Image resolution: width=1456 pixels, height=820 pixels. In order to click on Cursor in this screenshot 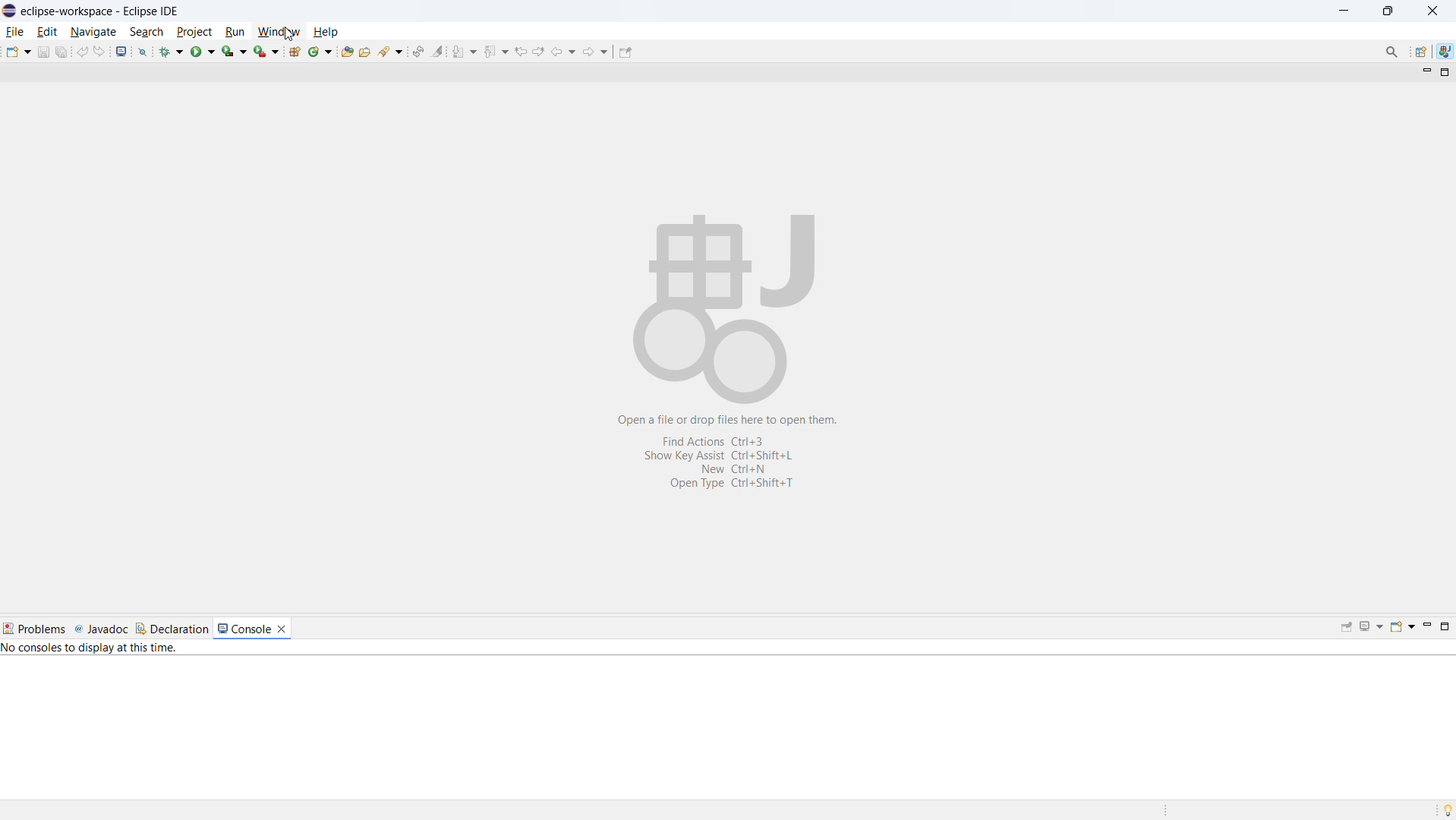, I will do `click(289, 34)`.